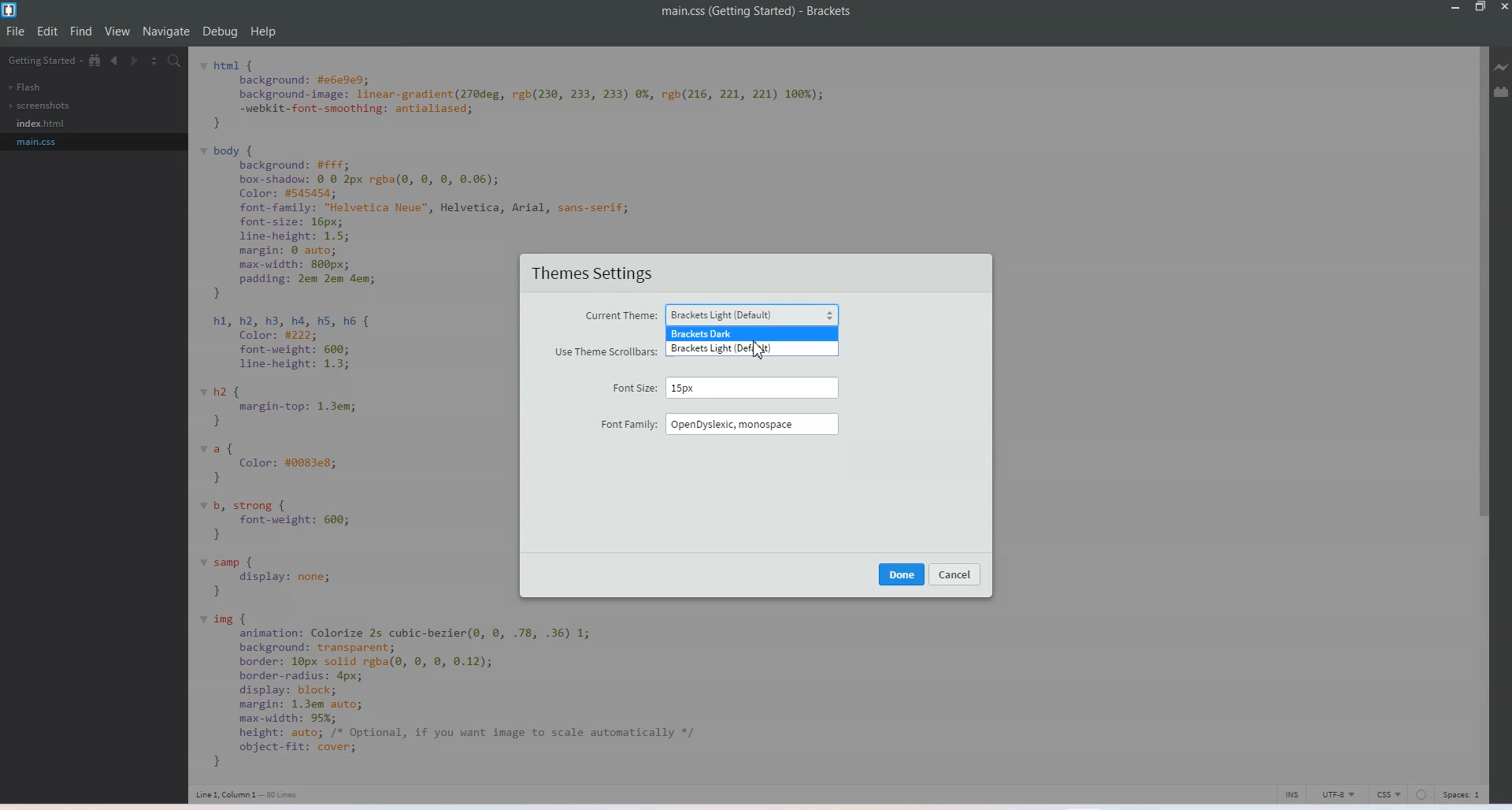 This screenshot has width=1512, height=810. What do you see at coordinates (10, 9) in the screenshot?
I see `Logo ` at bounding box center [10, 9].